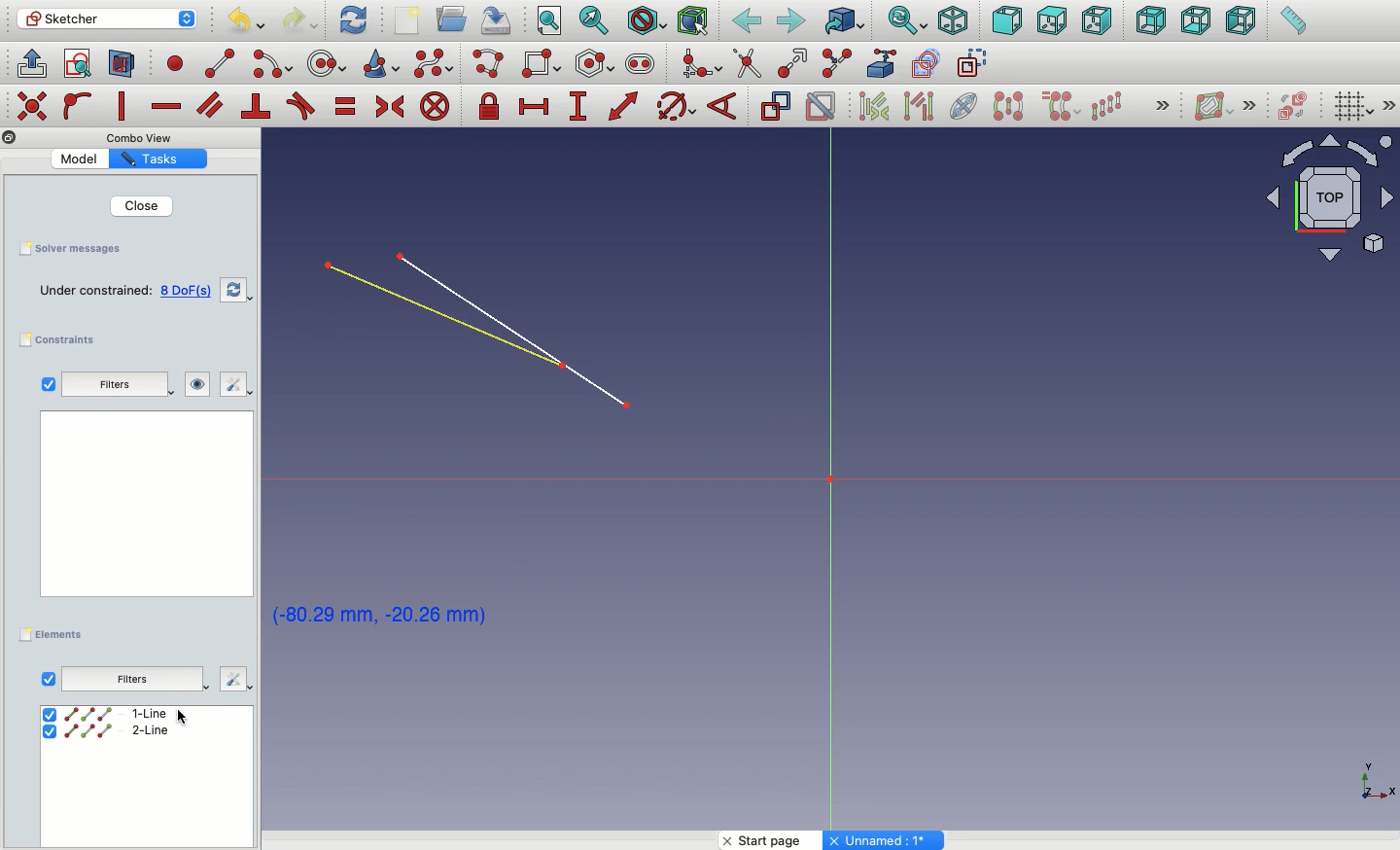  What do you see at coordinates (48, 678) in the screenshot?
I see `View` at bounding box center [48, 678].